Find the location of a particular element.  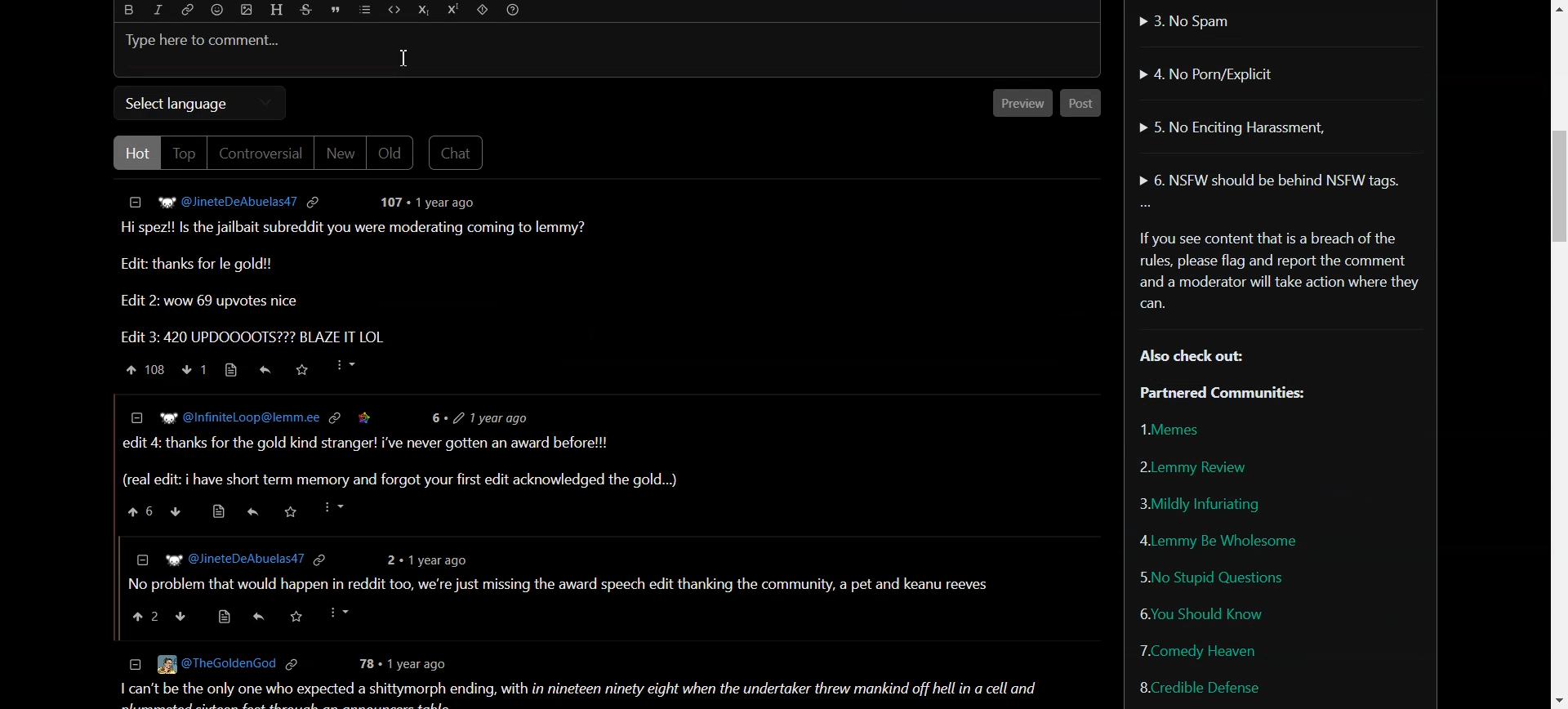

share is located at coordinates (257, 618).